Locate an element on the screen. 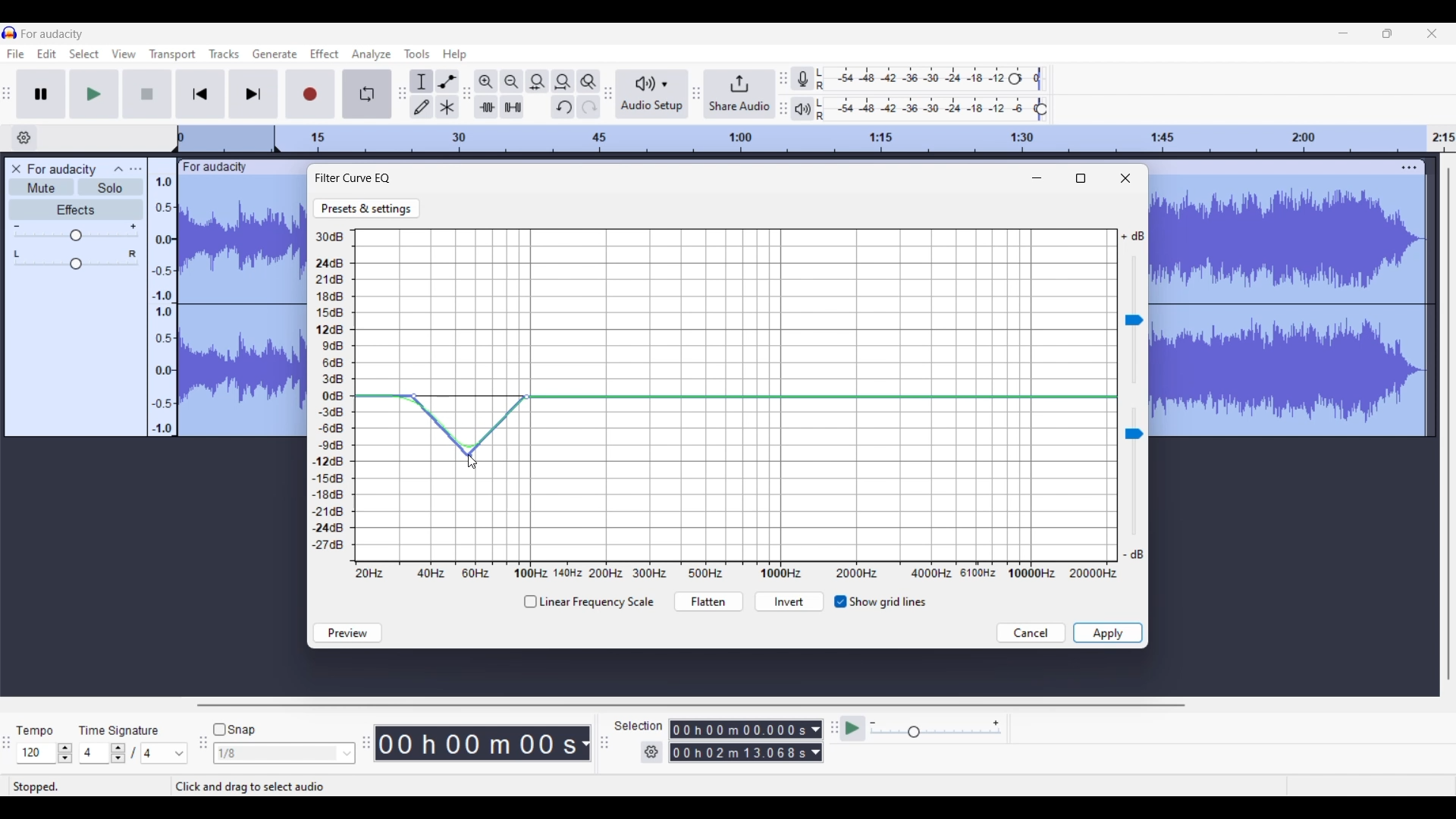 This screenshot has height=819, width=1456. Playback level header is located at coordinates (1042, 109).